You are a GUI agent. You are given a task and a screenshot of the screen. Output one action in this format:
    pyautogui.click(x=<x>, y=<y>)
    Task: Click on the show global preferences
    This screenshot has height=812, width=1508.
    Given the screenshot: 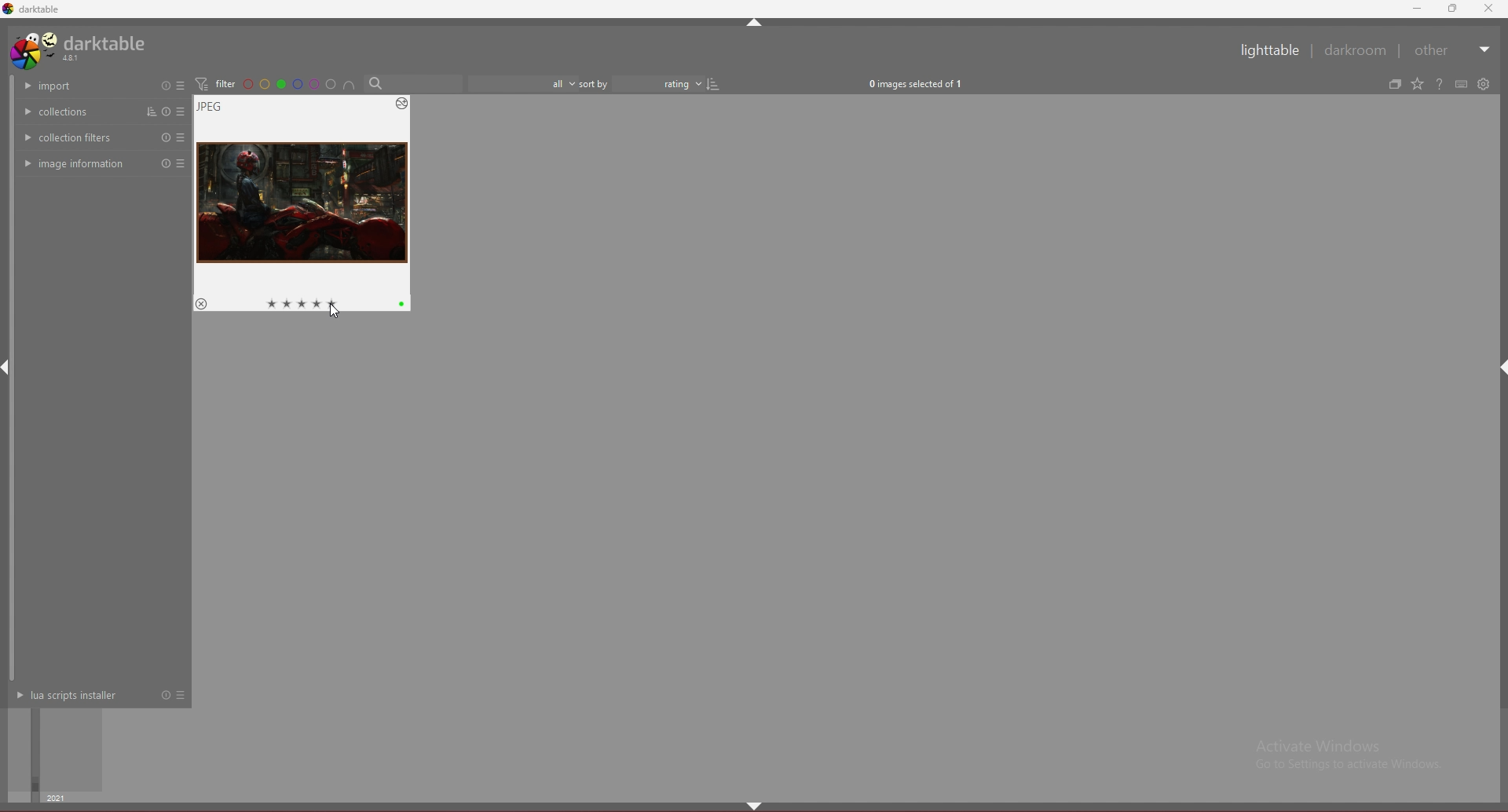 What is the action you would take?
    pyautogui.click(x=1484, y=85)
    